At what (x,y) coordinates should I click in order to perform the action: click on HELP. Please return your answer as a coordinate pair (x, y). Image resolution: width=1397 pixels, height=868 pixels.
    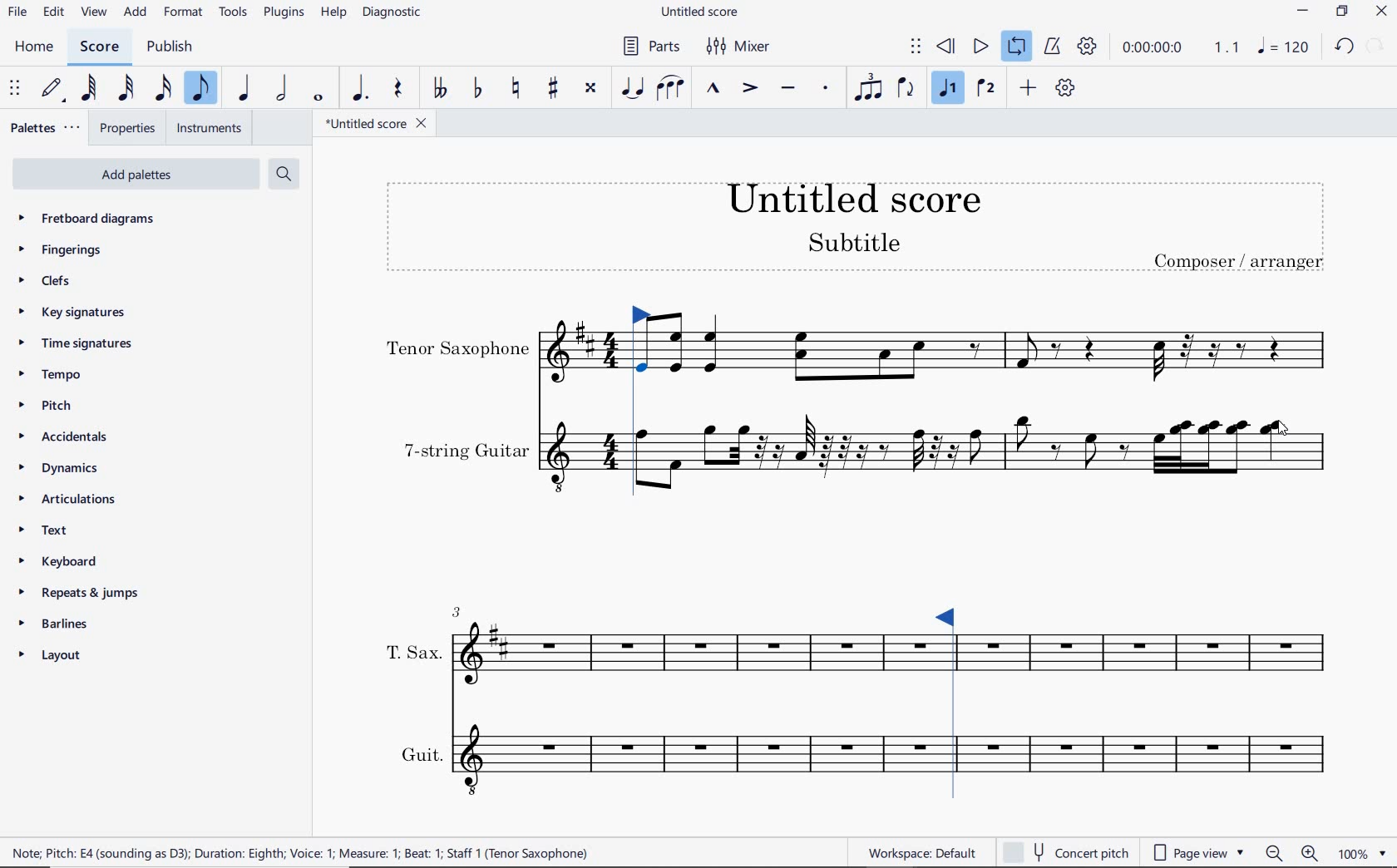
    Looking at the image, I should click on (332, 13).